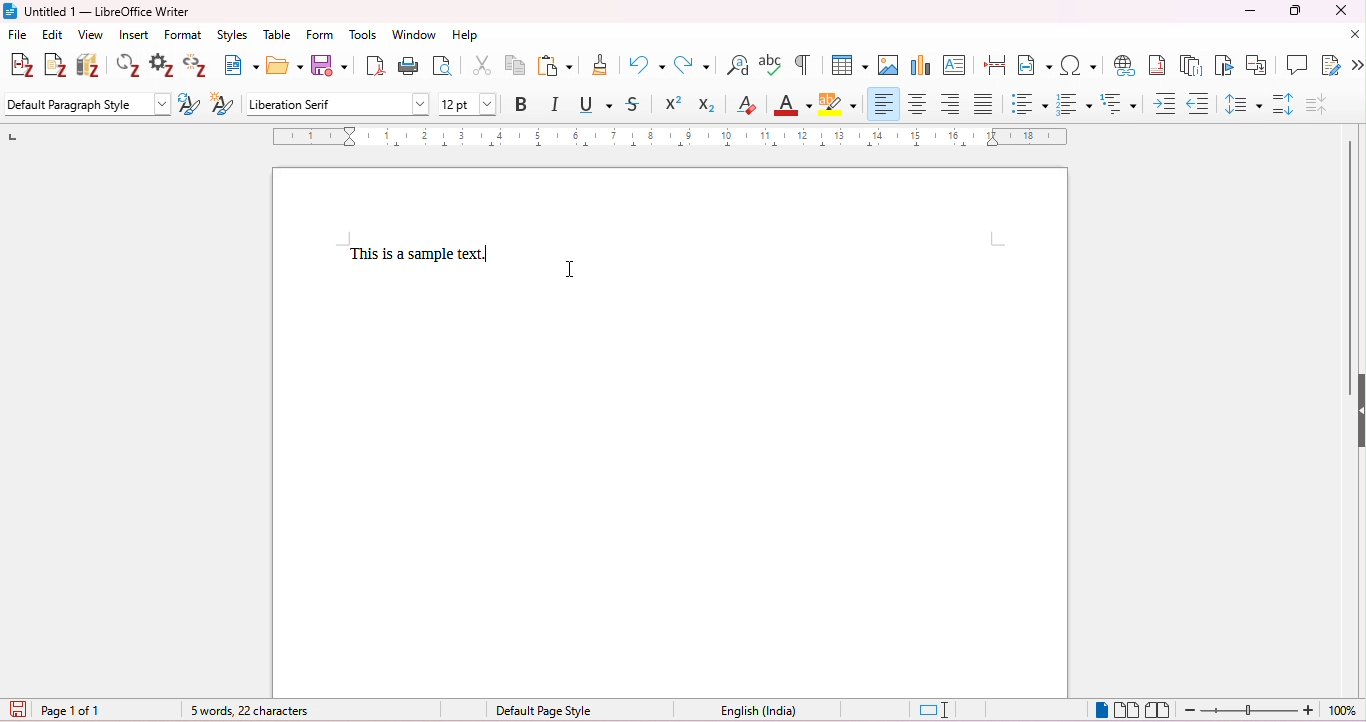  What do you see at coordinates (1159, 710) in the screenshot?
I see `book view` at bounding box center [1159, 710].